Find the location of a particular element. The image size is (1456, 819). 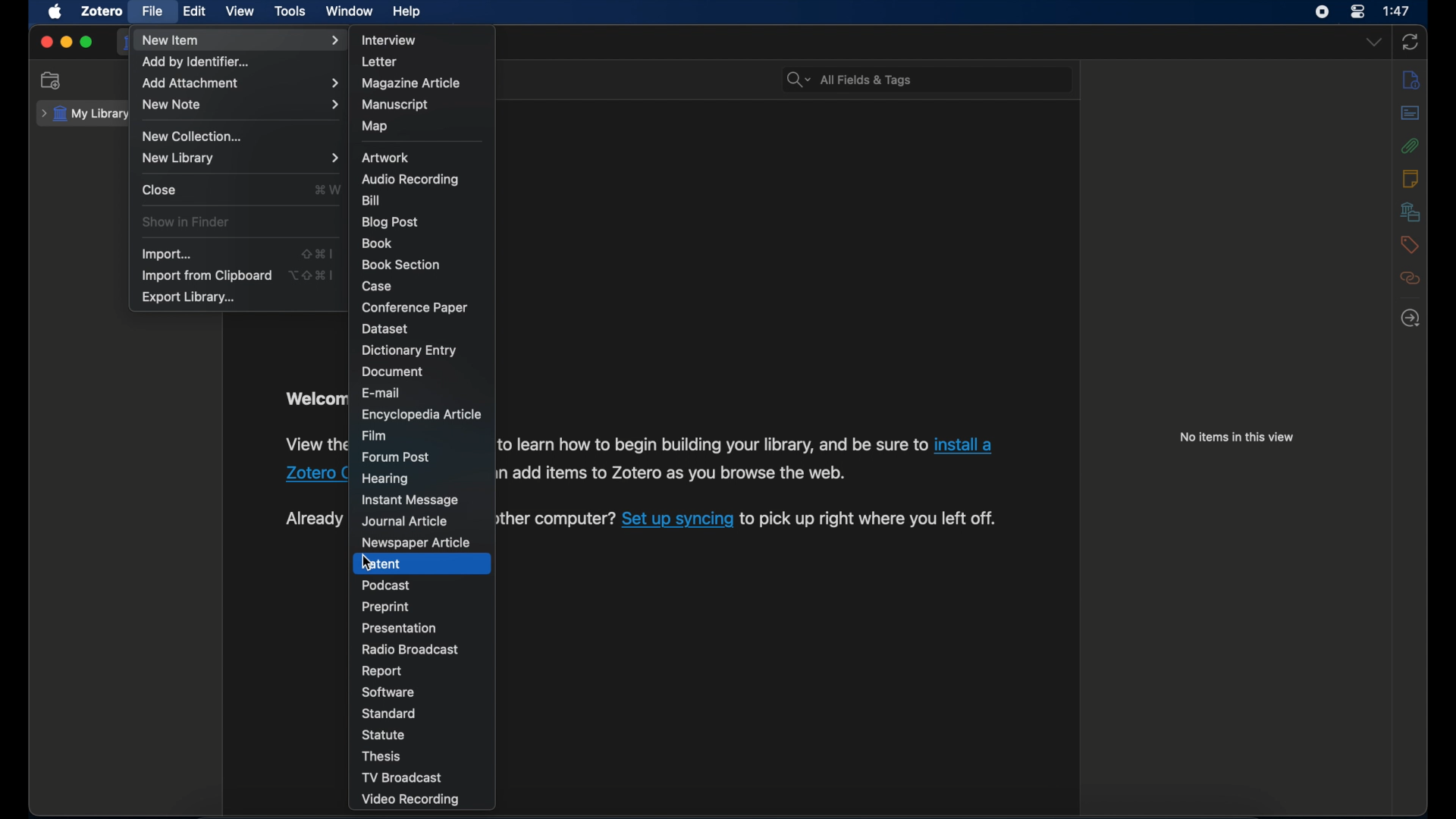

case is located at coordinates (377, 286).